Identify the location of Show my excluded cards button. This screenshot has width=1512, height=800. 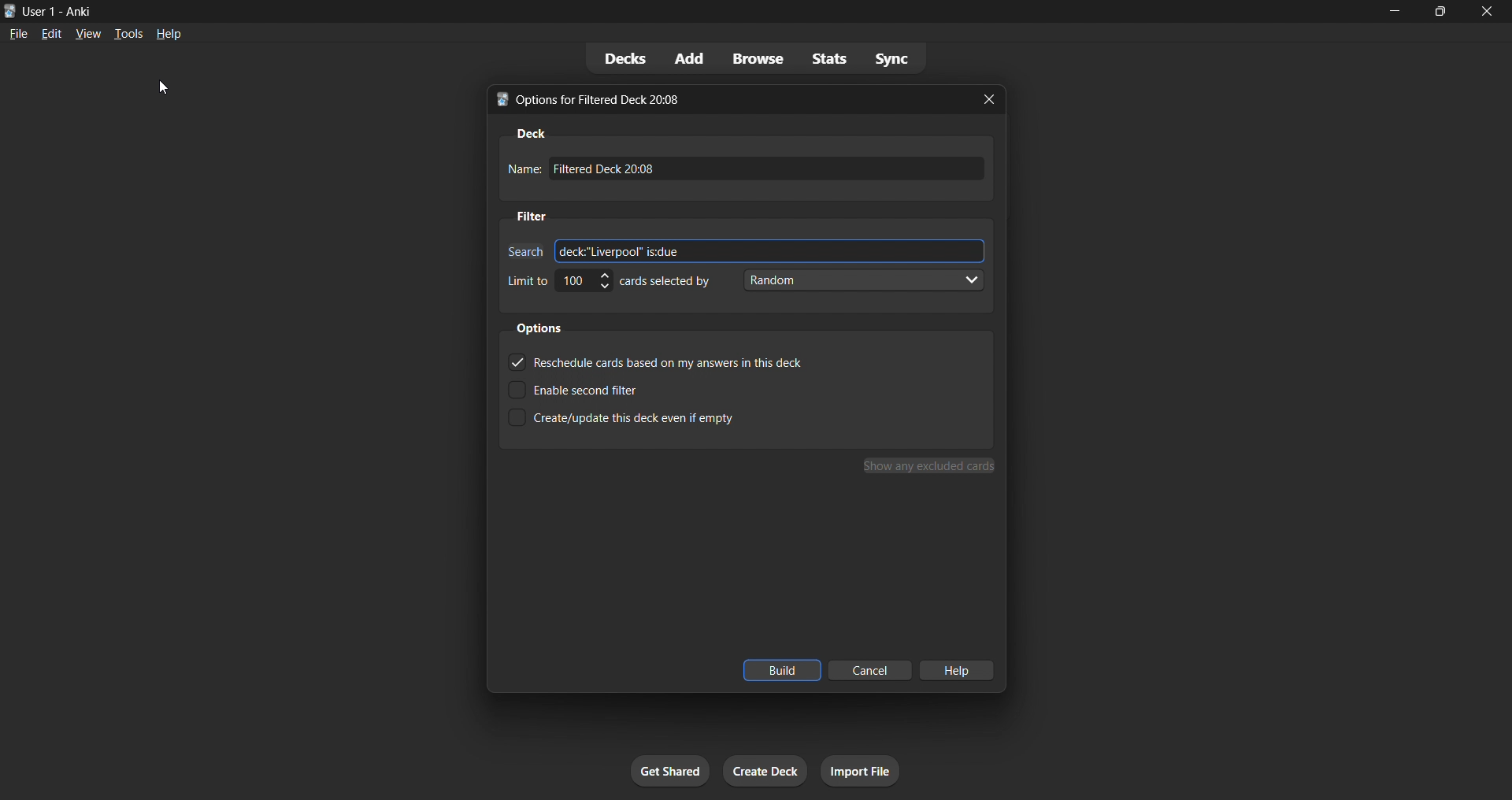
(931, 465).